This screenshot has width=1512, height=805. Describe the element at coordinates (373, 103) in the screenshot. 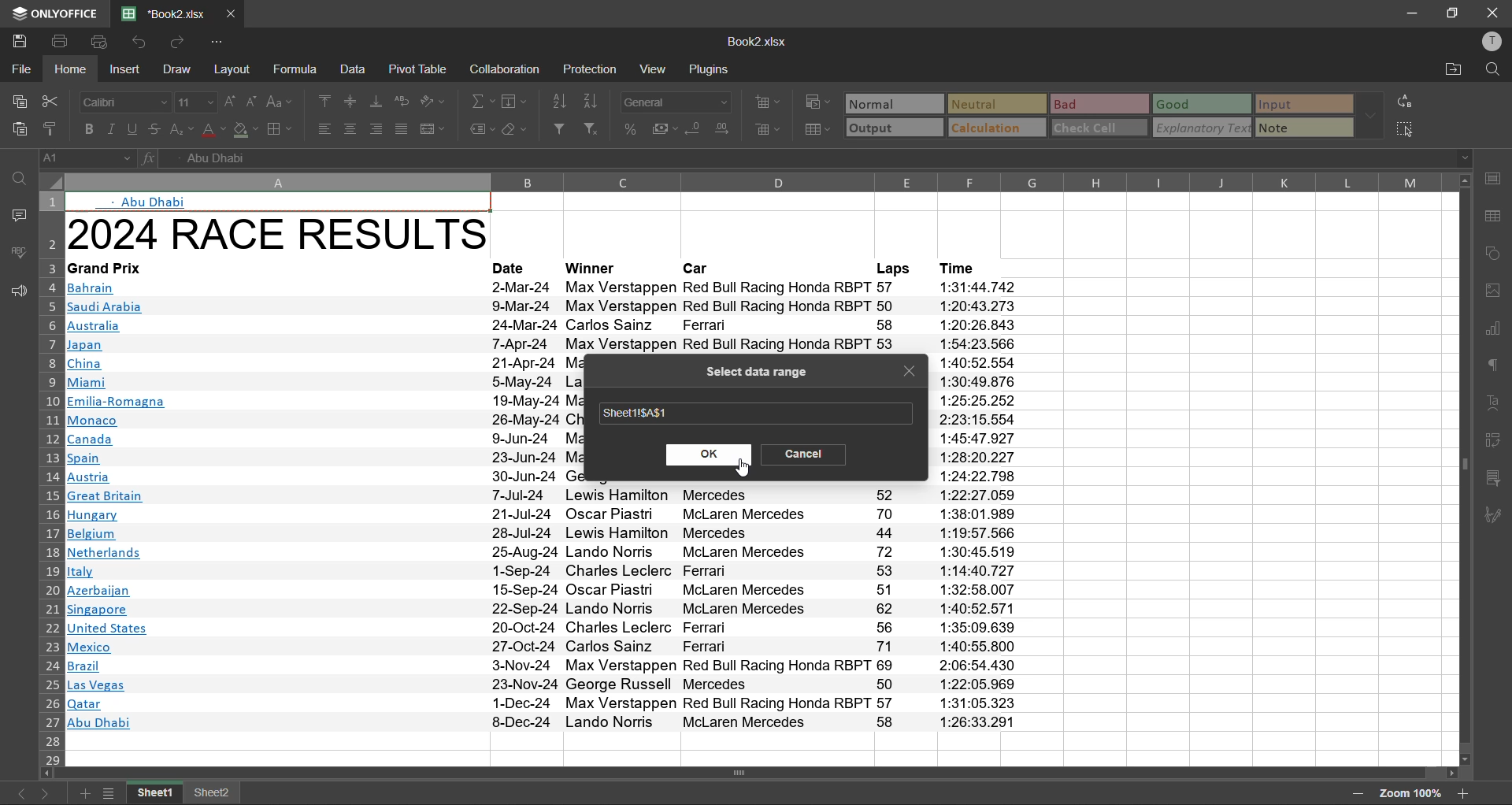

I see `align bottom` at that location.